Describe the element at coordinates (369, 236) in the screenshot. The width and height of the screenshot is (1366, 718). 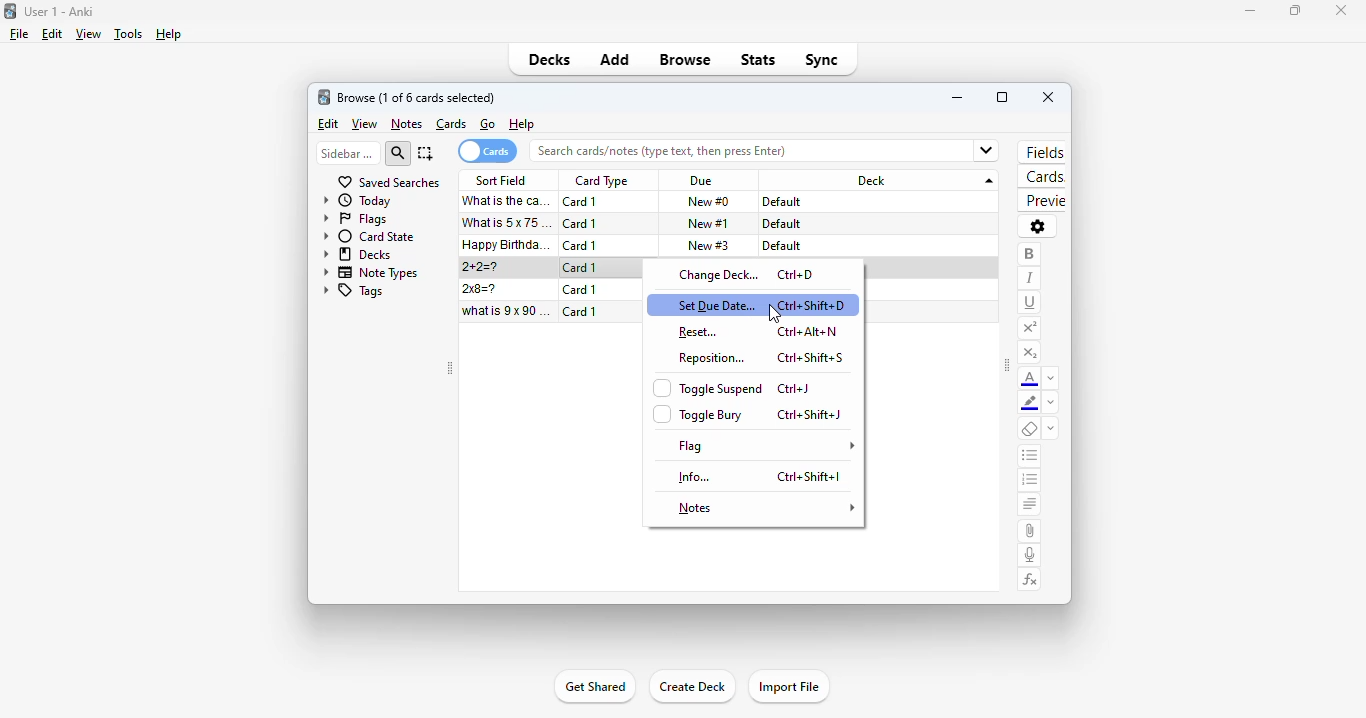
I see `card state` at that location.